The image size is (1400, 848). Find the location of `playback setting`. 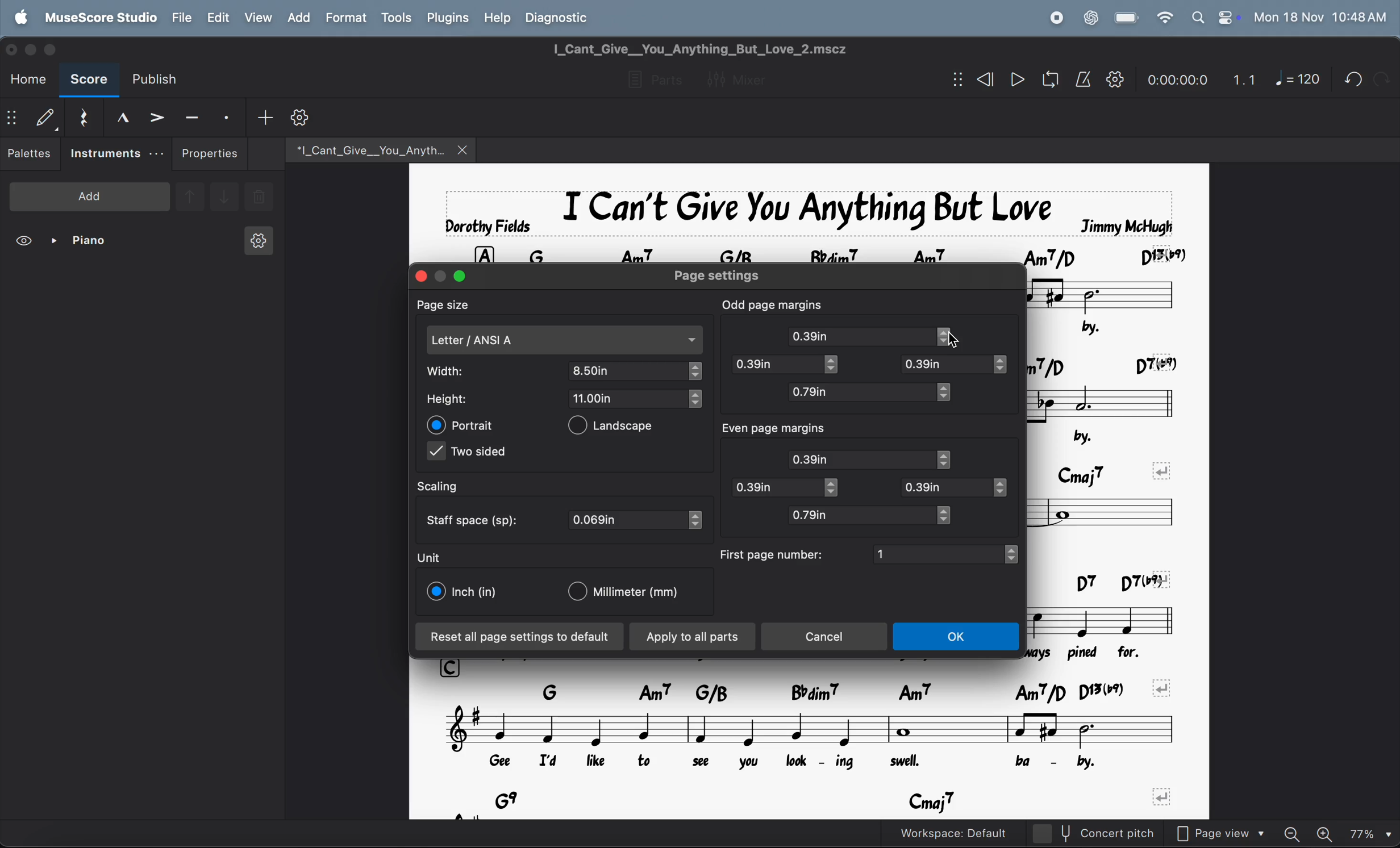

playback setting is located at coordinates (1115, 79).